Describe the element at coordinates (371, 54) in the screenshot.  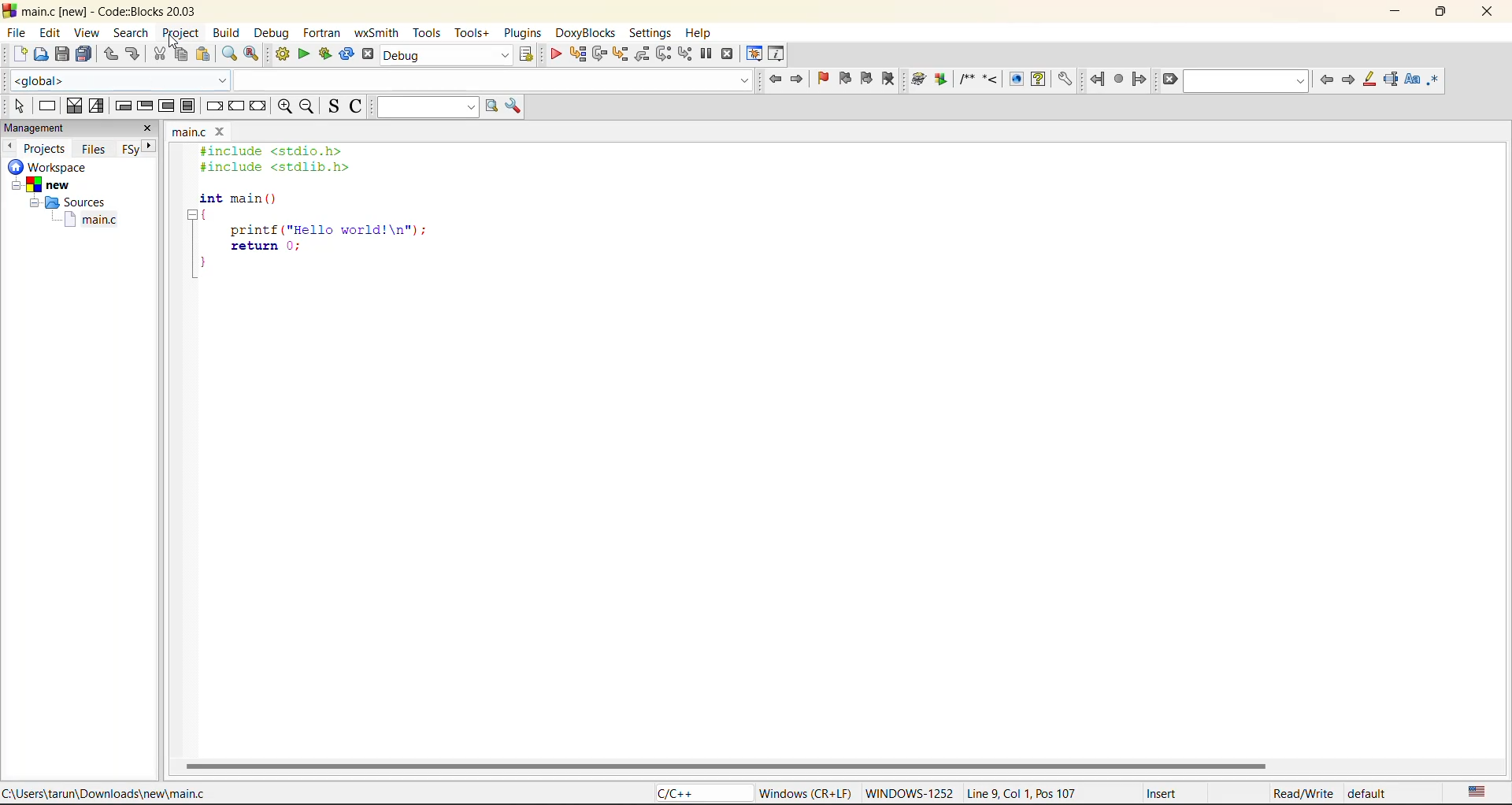
I see `abort` at that location.